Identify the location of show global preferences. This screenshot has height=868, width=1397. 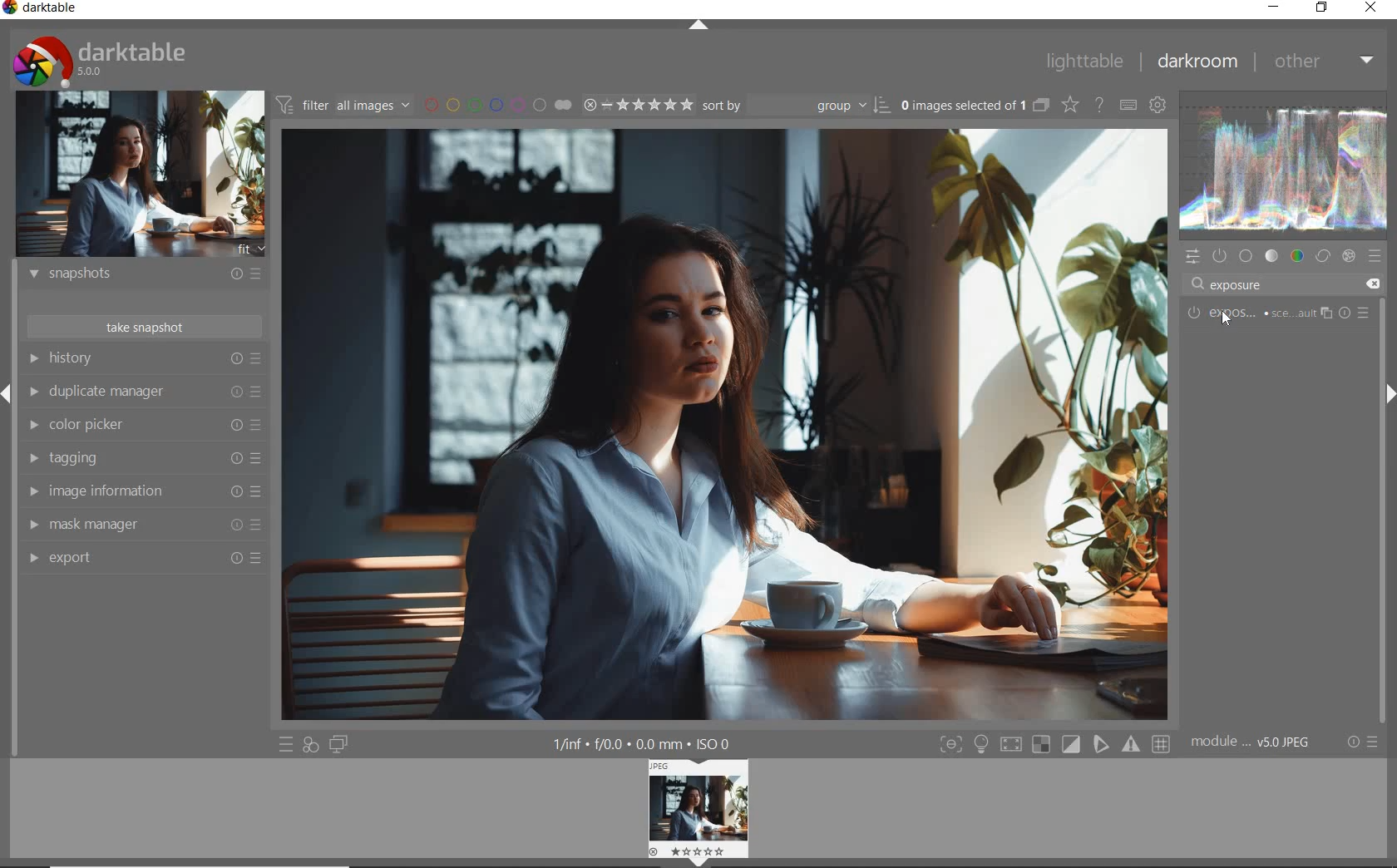
(1158, 104).